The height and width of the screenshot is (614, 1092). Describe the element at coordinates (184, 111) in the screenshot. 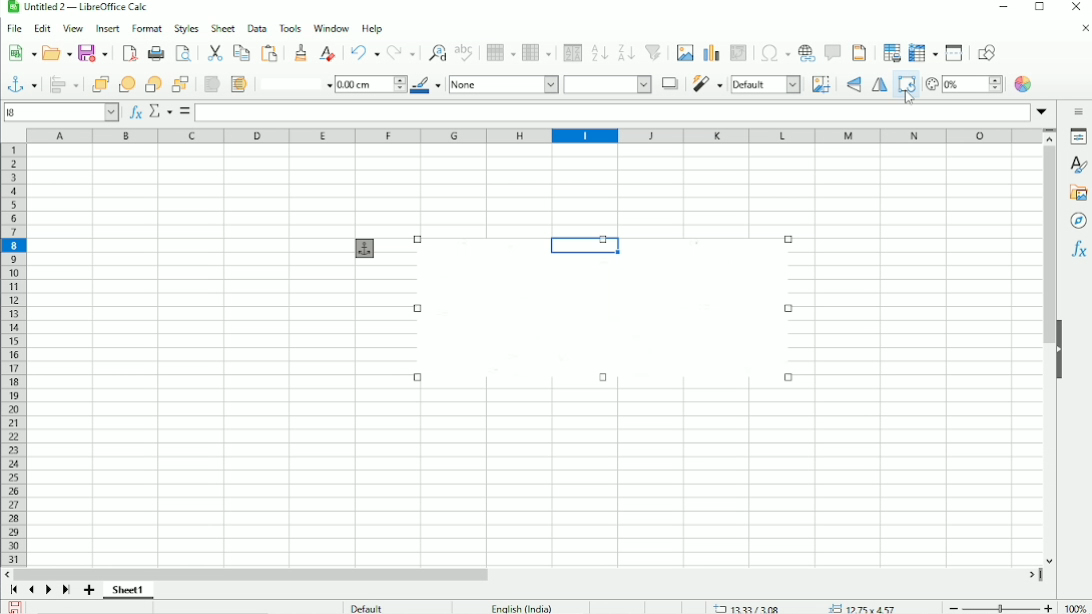

I see `Formula` at that location.